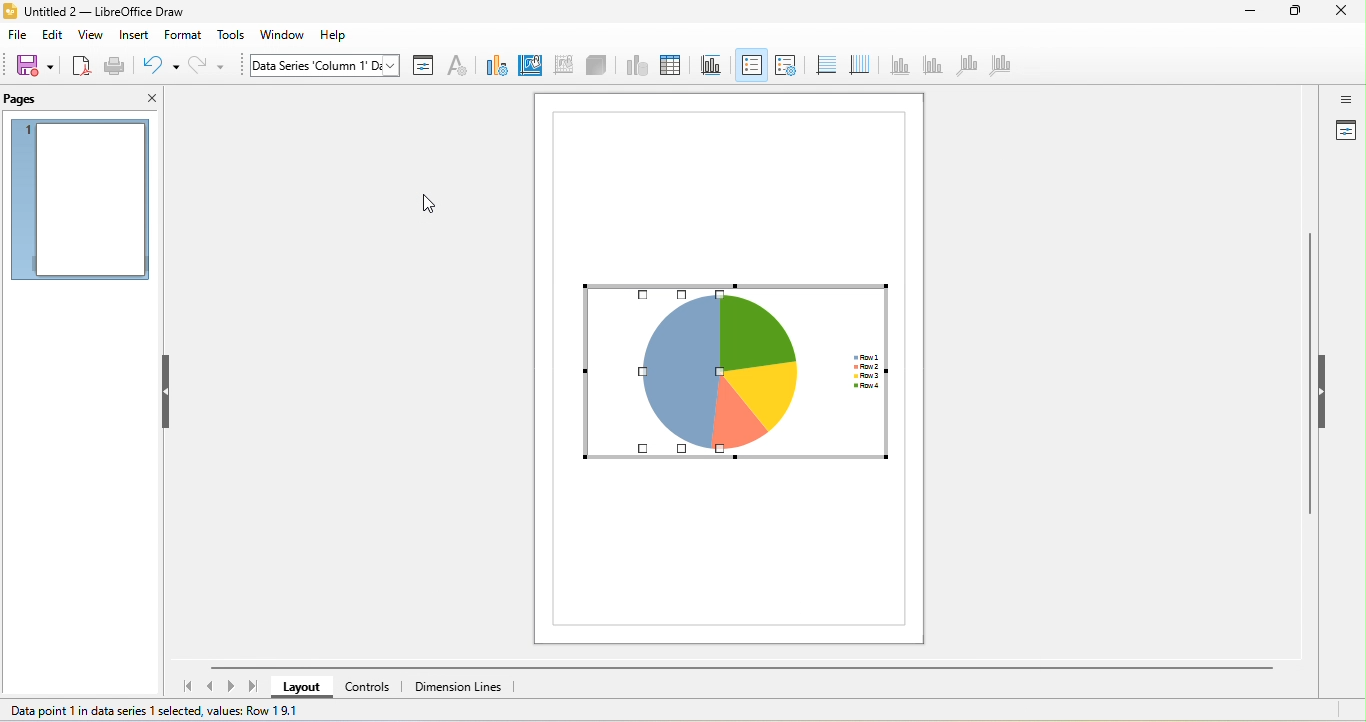 This screenshot has width=1366, height=722. What do you see at coordinates (785, 64) in the screenshot?
I see `legend` at bounding box center [785, 64].